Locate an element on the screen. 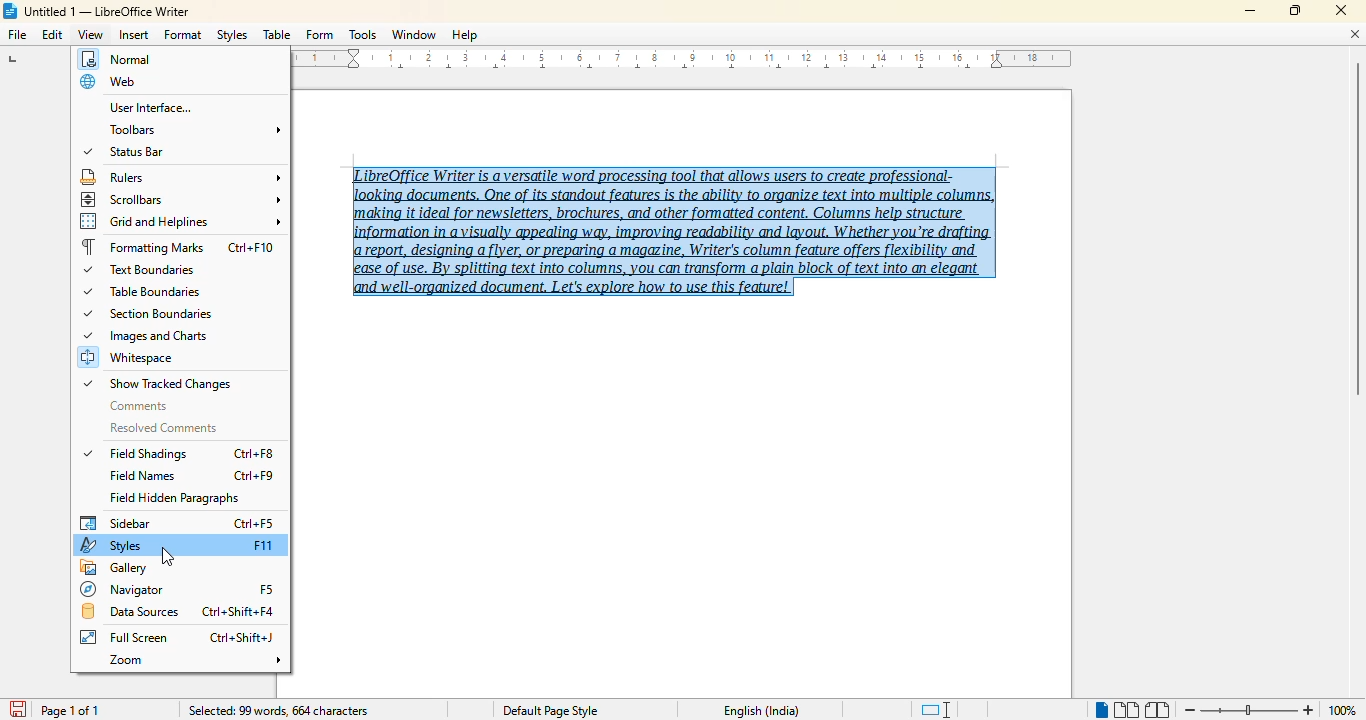 The image size is (1366, 720). LibreOffice logo is located at coordinates (12, 10).